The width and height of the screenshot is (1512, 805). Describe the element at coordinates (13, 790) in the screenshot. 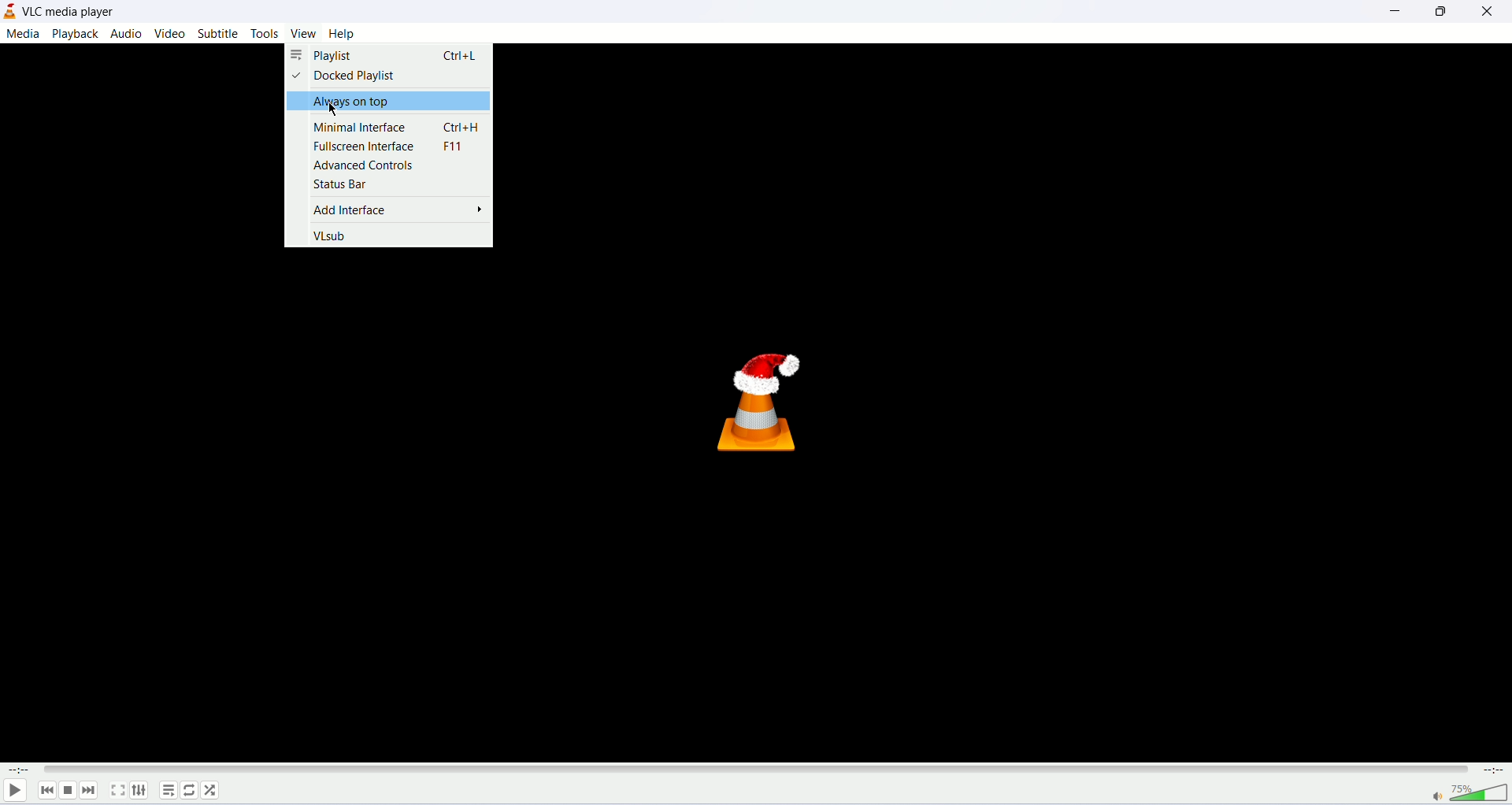

I see `play/pause` at that location.